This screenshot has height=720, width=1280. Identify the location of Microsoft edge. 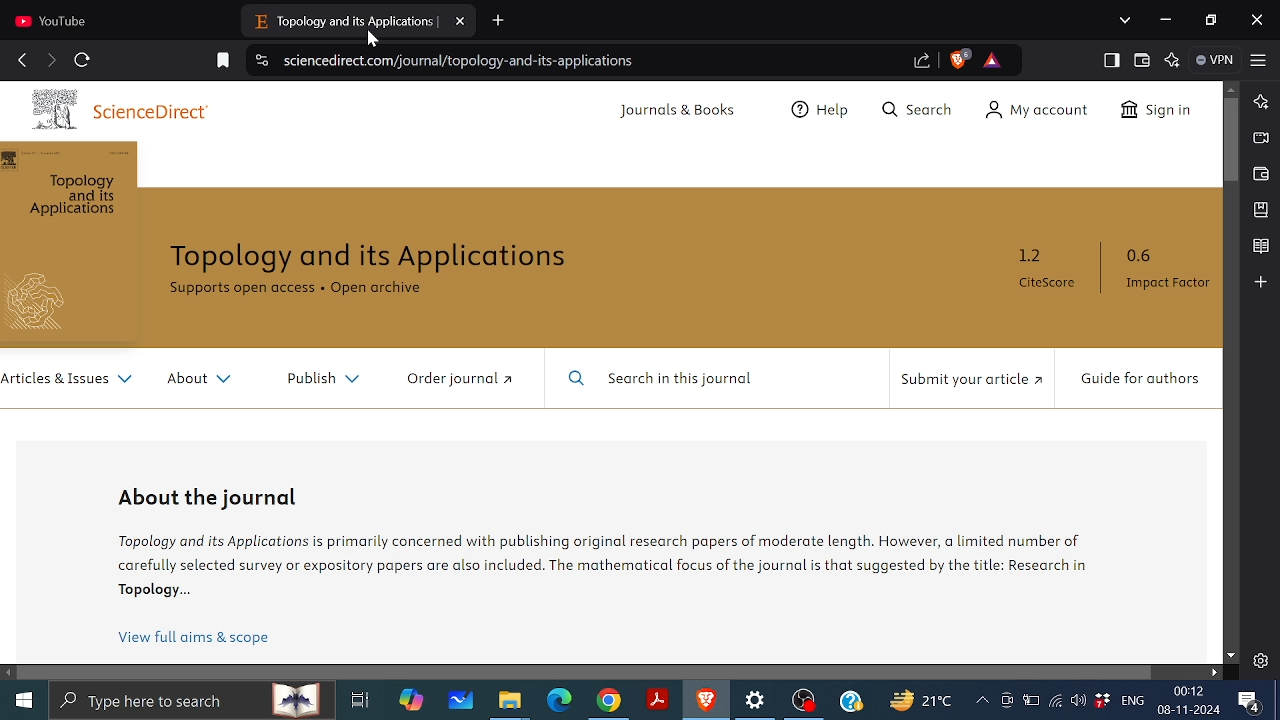
(560, 701).